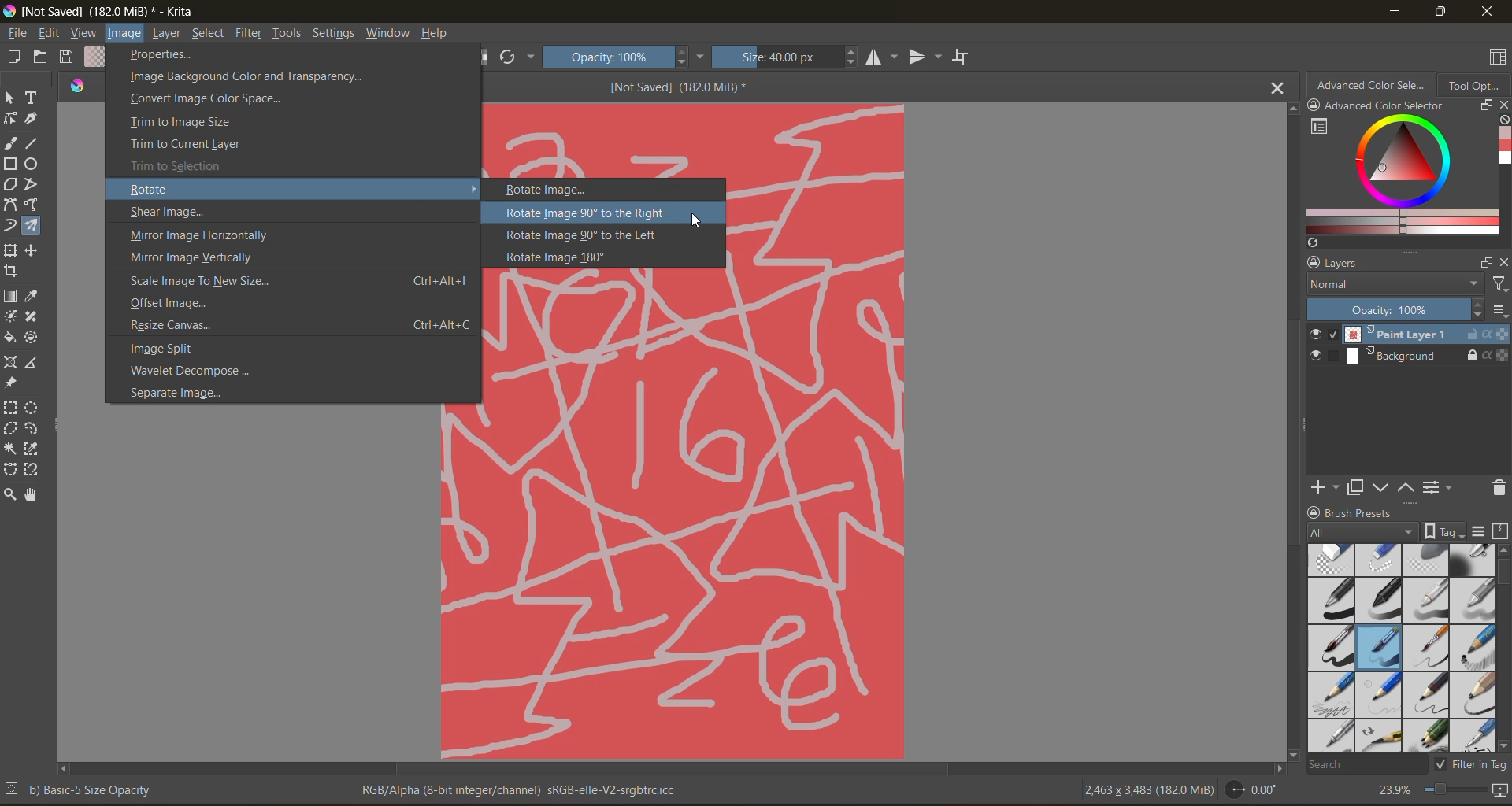 Image resolution: width=1512 pixels, height=806 pixels. I want to click on Brush Presets, so click(1366, 512).